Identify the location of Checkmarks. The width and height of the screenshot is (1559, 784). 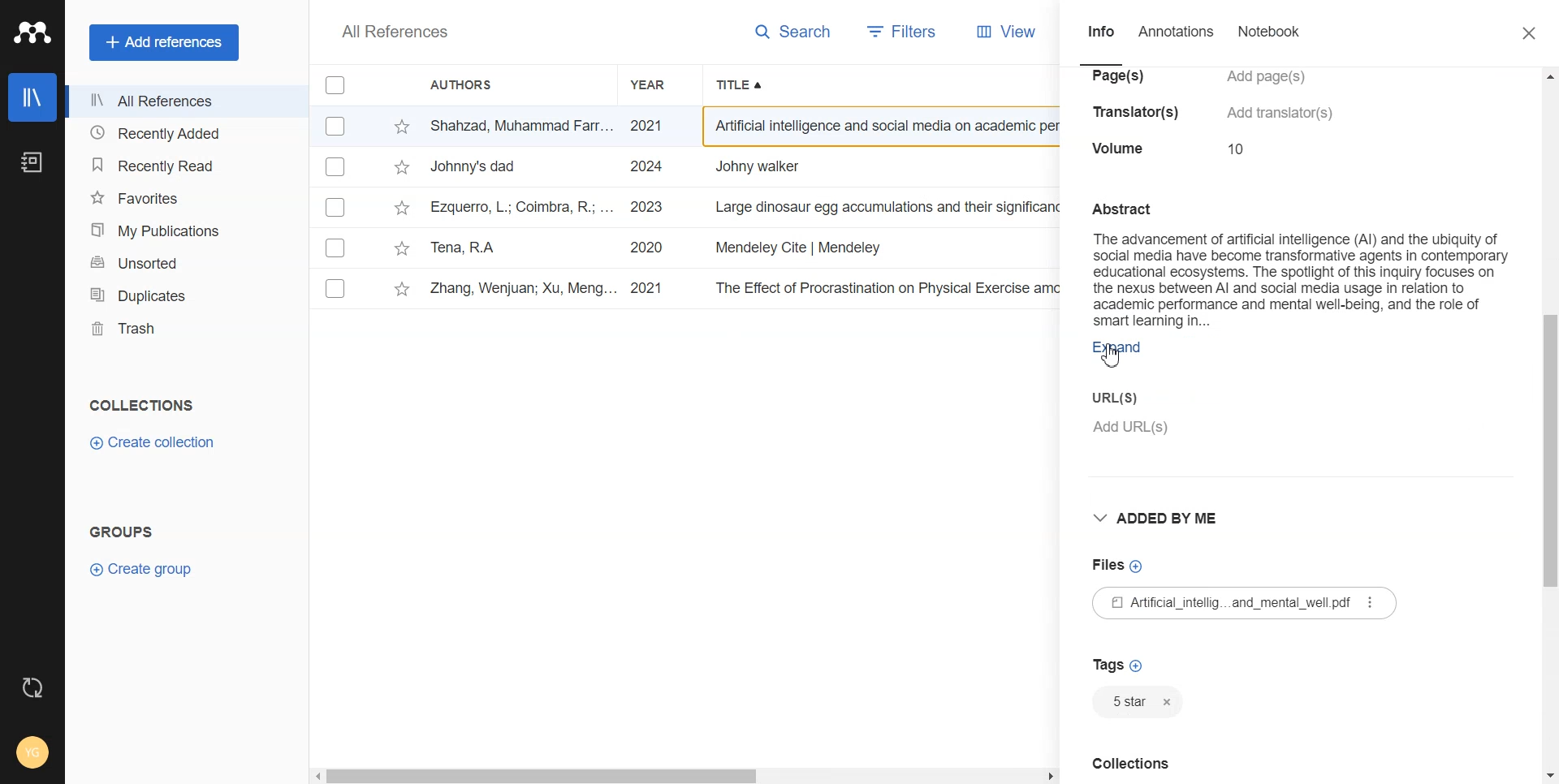
(336, 169).